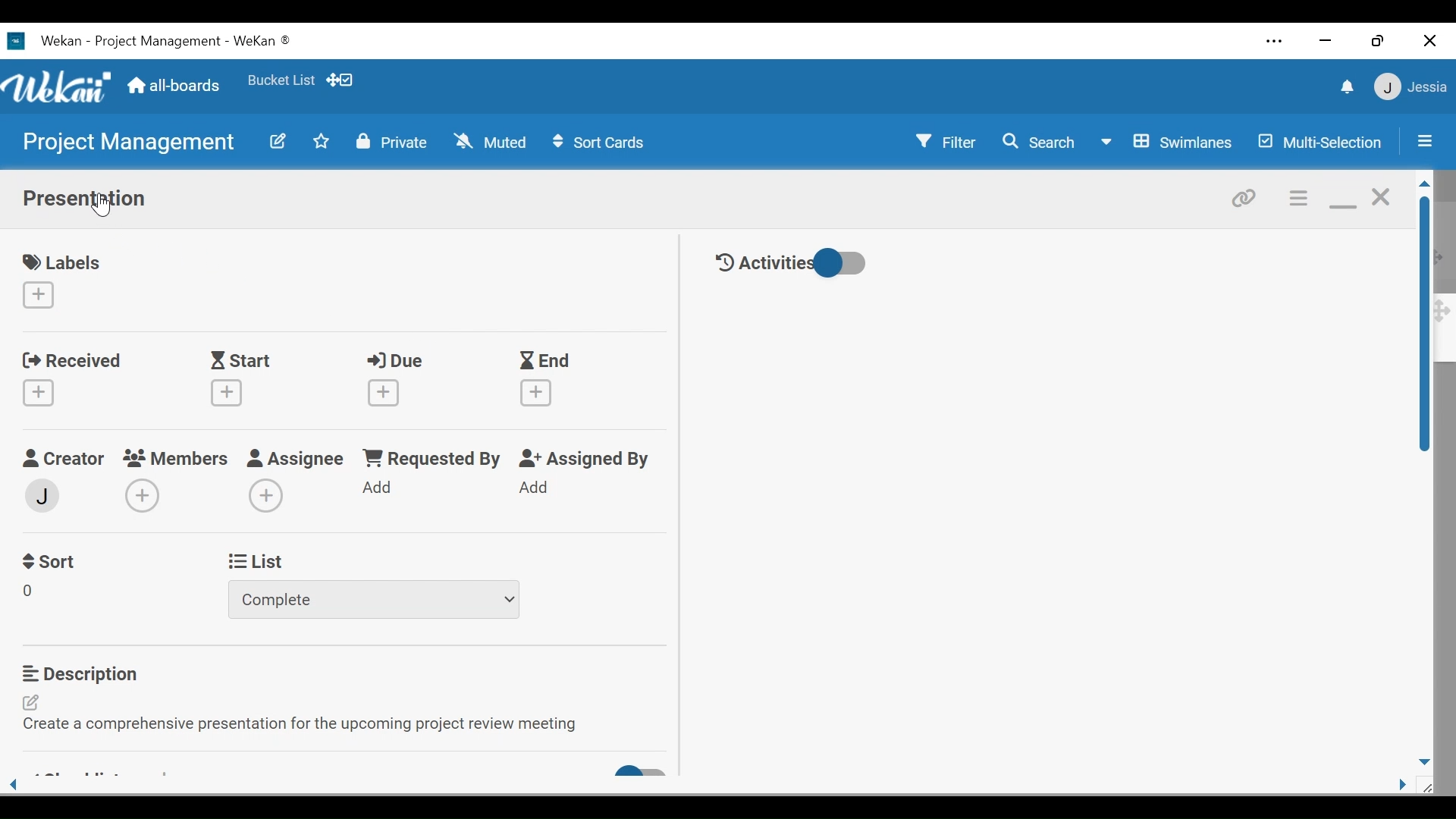  I want to click on Close, so click(1427, 39).